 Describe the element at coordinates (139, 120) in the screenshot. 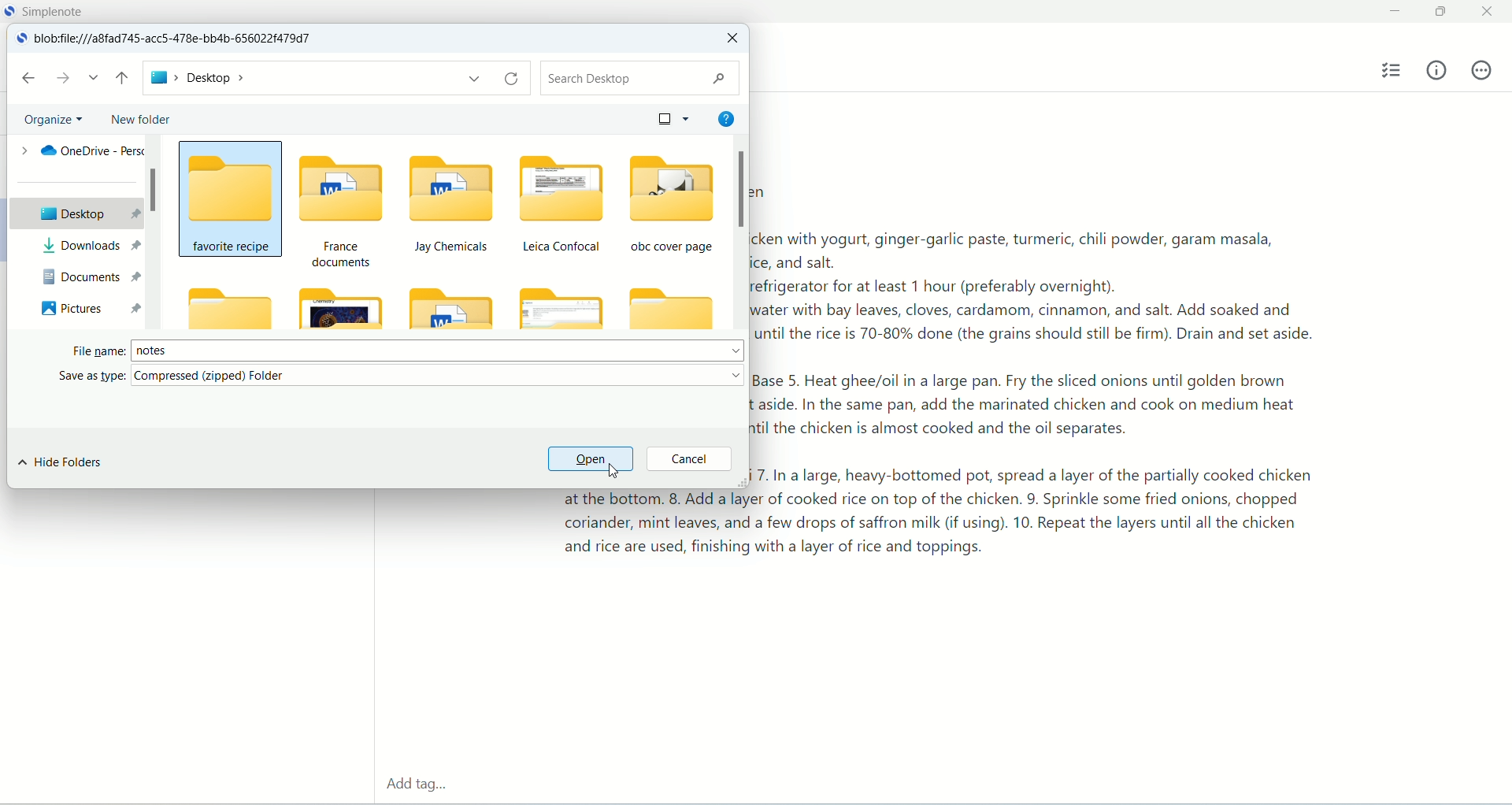

I see `new folder` at that location.